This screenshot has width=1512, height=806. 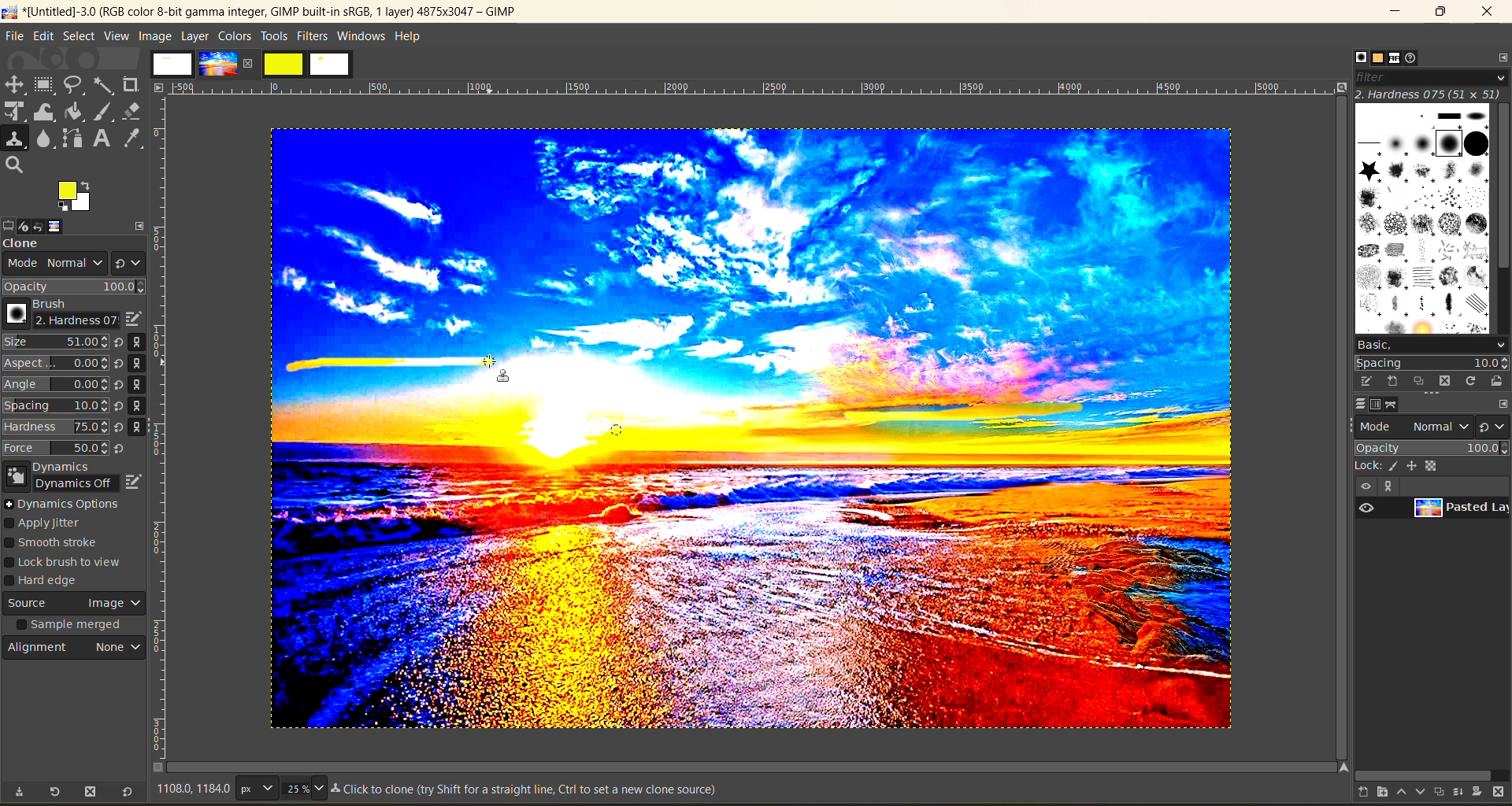 I want to click on patterns, so click(x=1376, y=59).